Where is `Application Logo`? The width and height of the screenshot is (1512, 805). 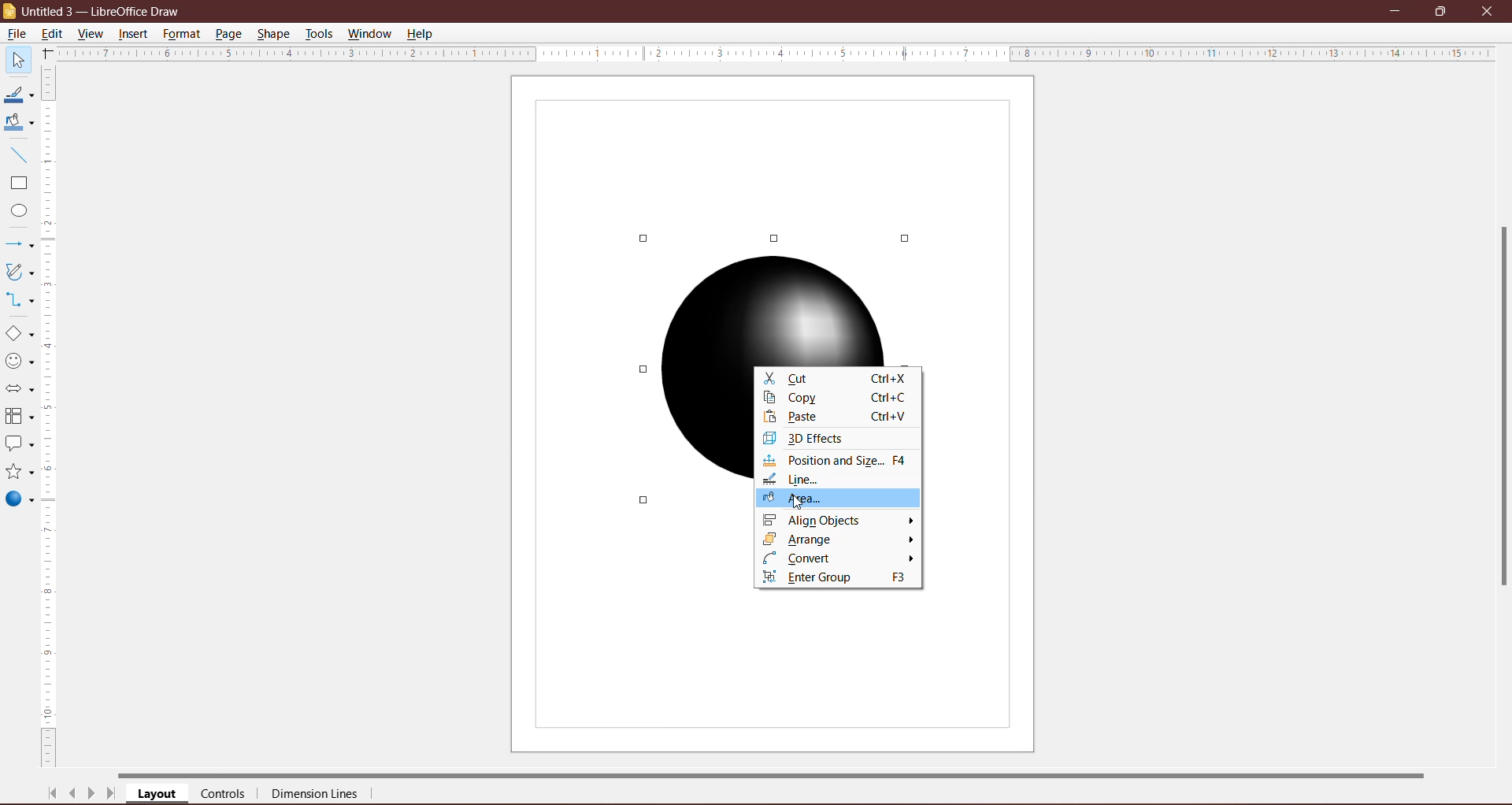
Application Logo is located at coordinates (10, 12).